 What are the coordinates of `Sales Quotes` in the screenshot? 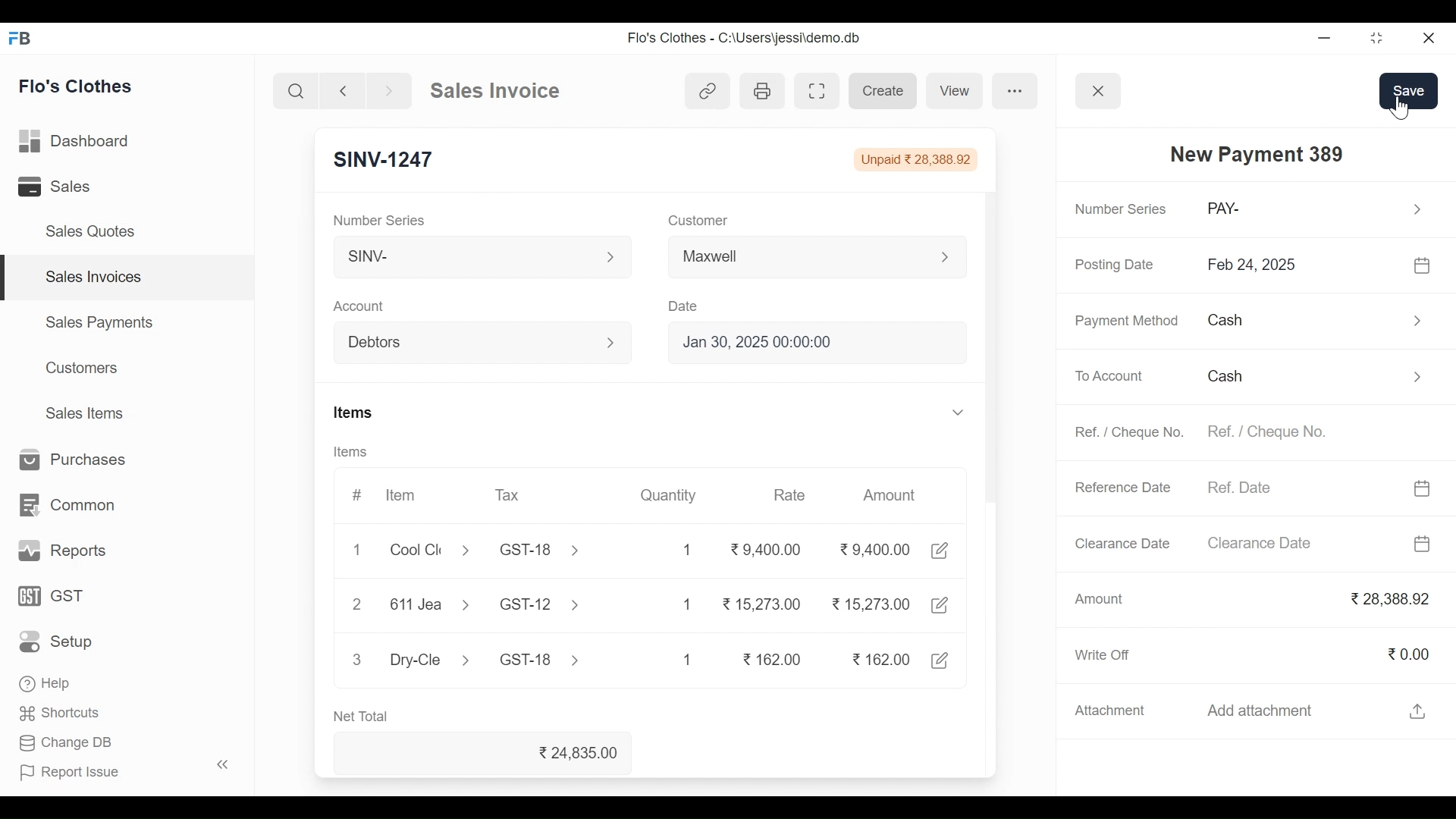 It's located at (88, 231).